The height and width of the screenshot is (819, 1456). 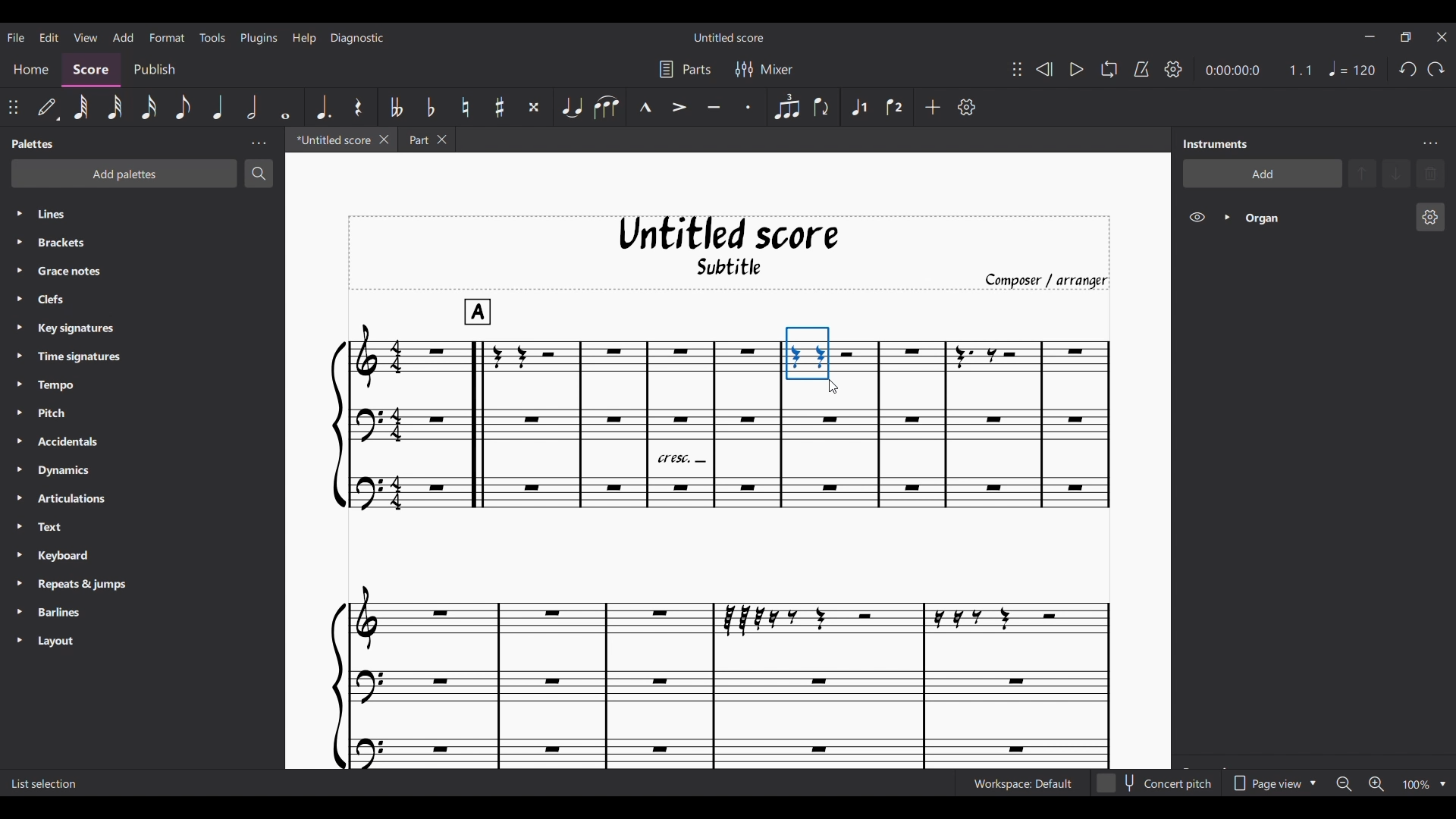 I want to click on Play, so click(x=1077, y=70).